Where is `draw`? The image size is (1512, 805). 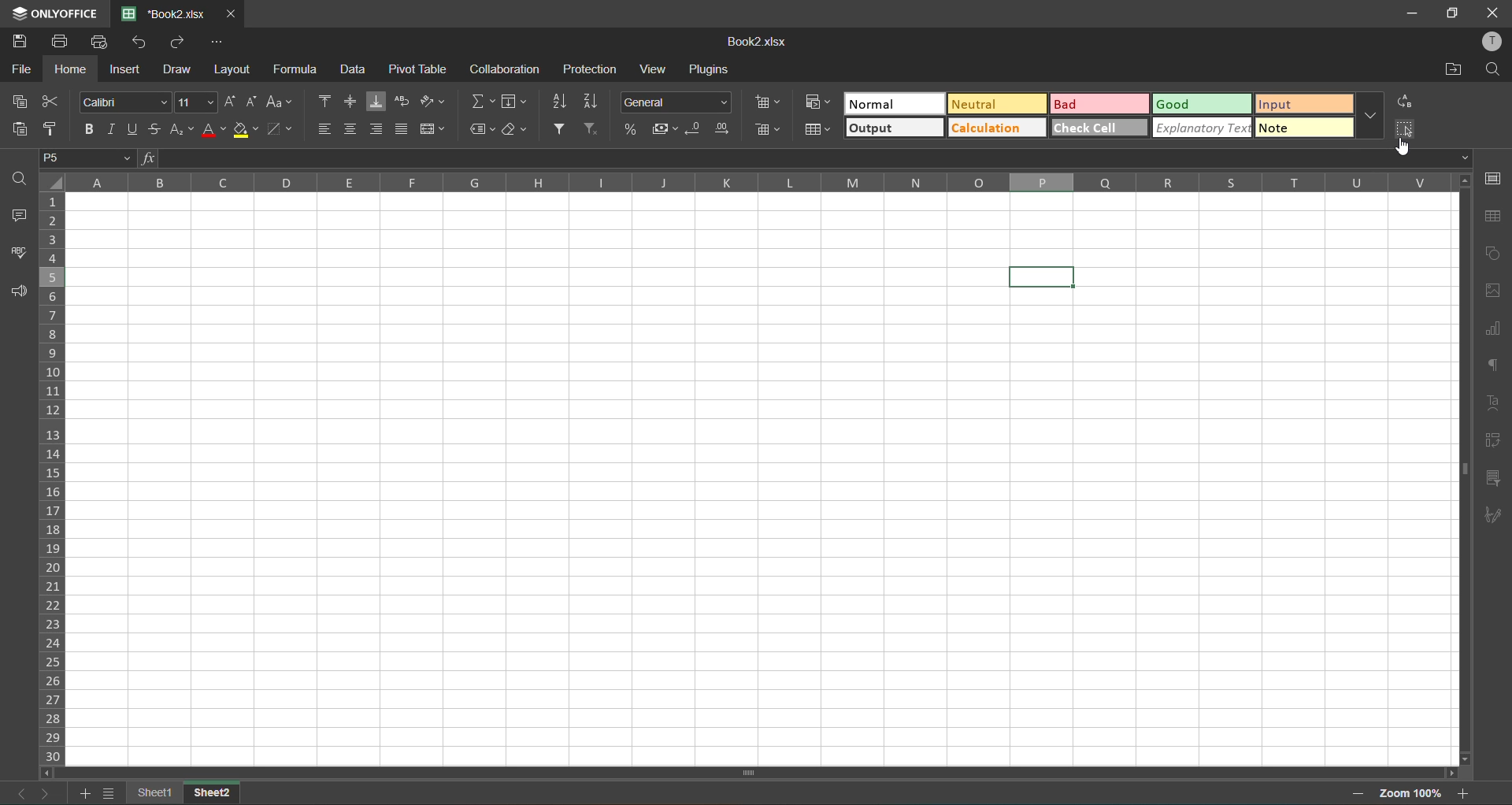 draw is located at coordinates (180, 69).